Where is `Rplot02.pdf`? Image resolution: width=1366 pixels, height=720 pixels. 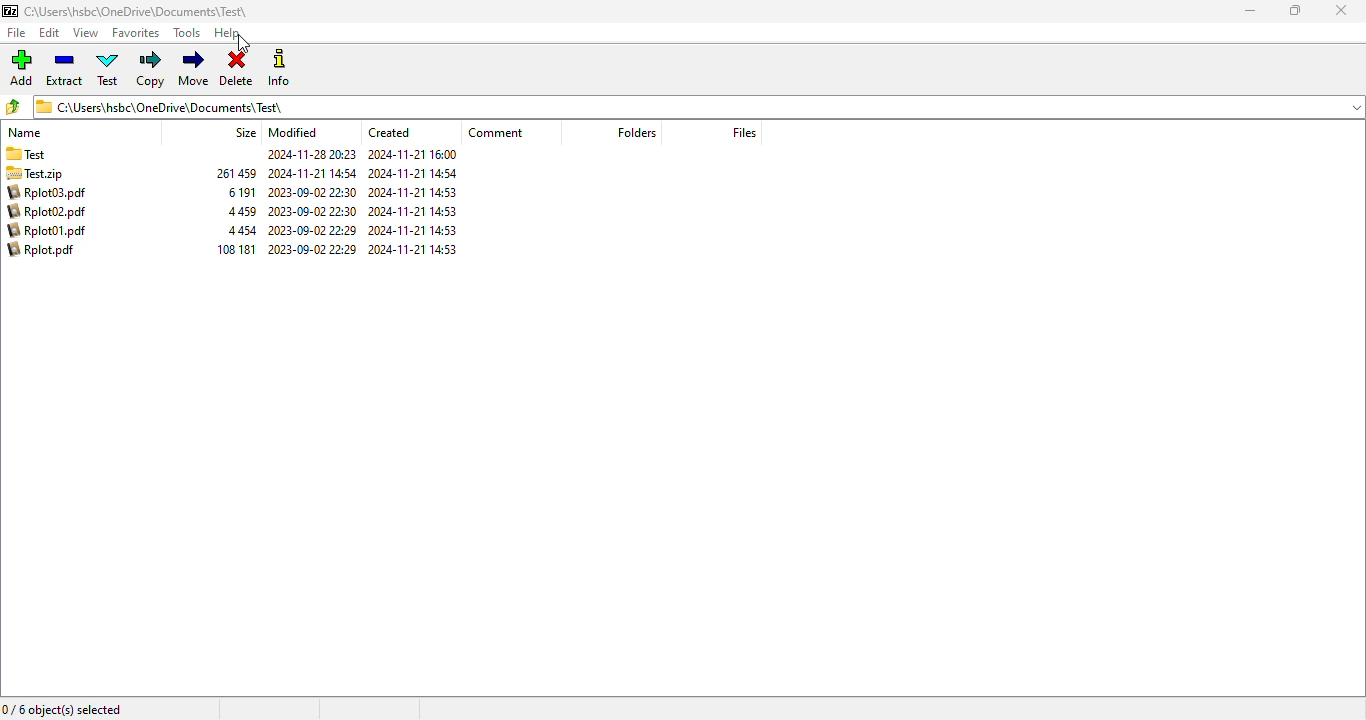 Rplot02.pdf is located at coordinates (44, 212).